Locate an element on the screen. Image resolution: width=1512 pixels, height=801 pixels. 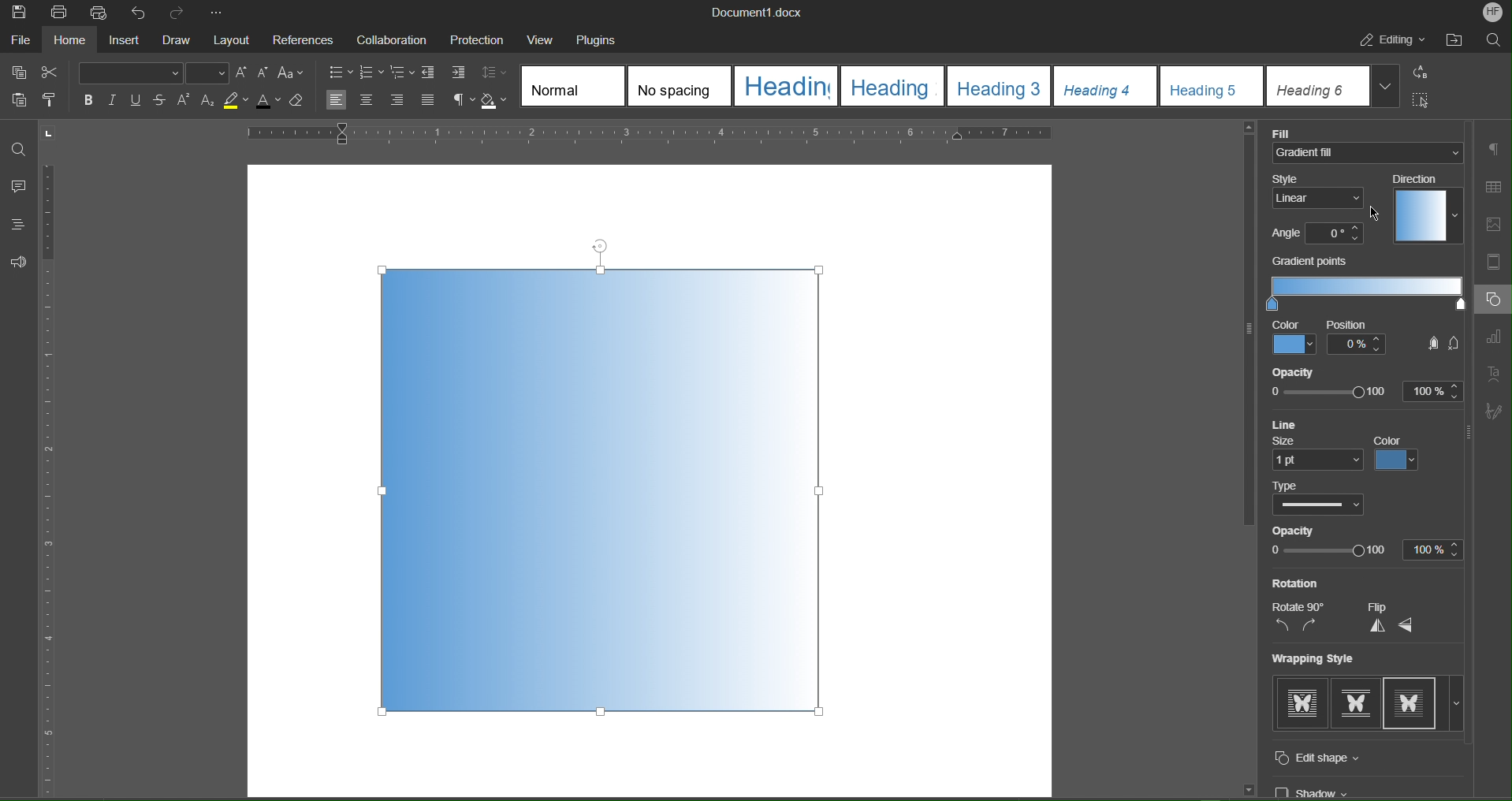
Bold is located at coordinates (88, 100).